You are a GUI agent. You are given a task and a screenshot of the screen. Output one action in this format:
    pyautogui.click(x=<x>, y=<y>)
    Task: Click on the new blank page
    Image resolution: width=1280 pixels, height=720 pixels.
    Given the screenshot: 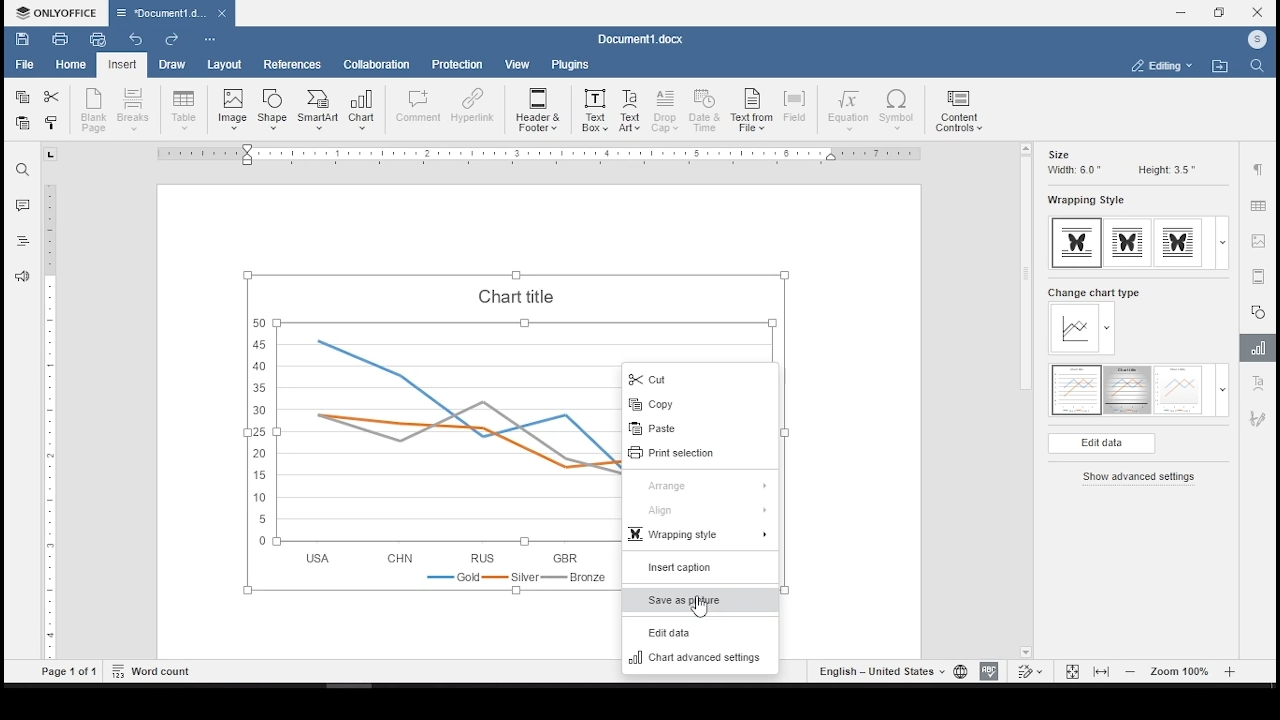 What is the action you would take?
    pyautogui.click(x=95, y=110)
    